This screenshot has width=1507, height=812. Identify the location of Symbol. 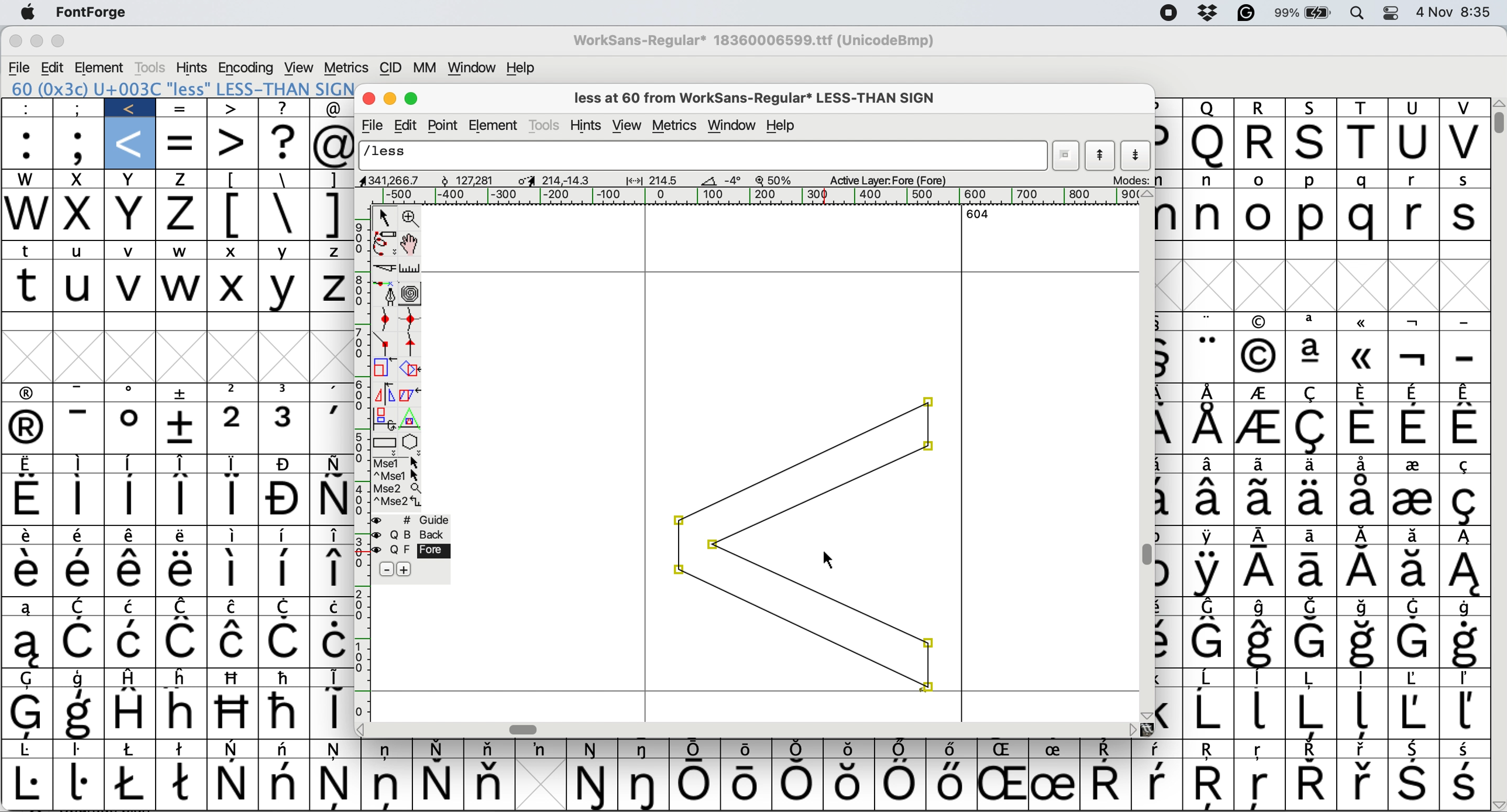
(797, 785).